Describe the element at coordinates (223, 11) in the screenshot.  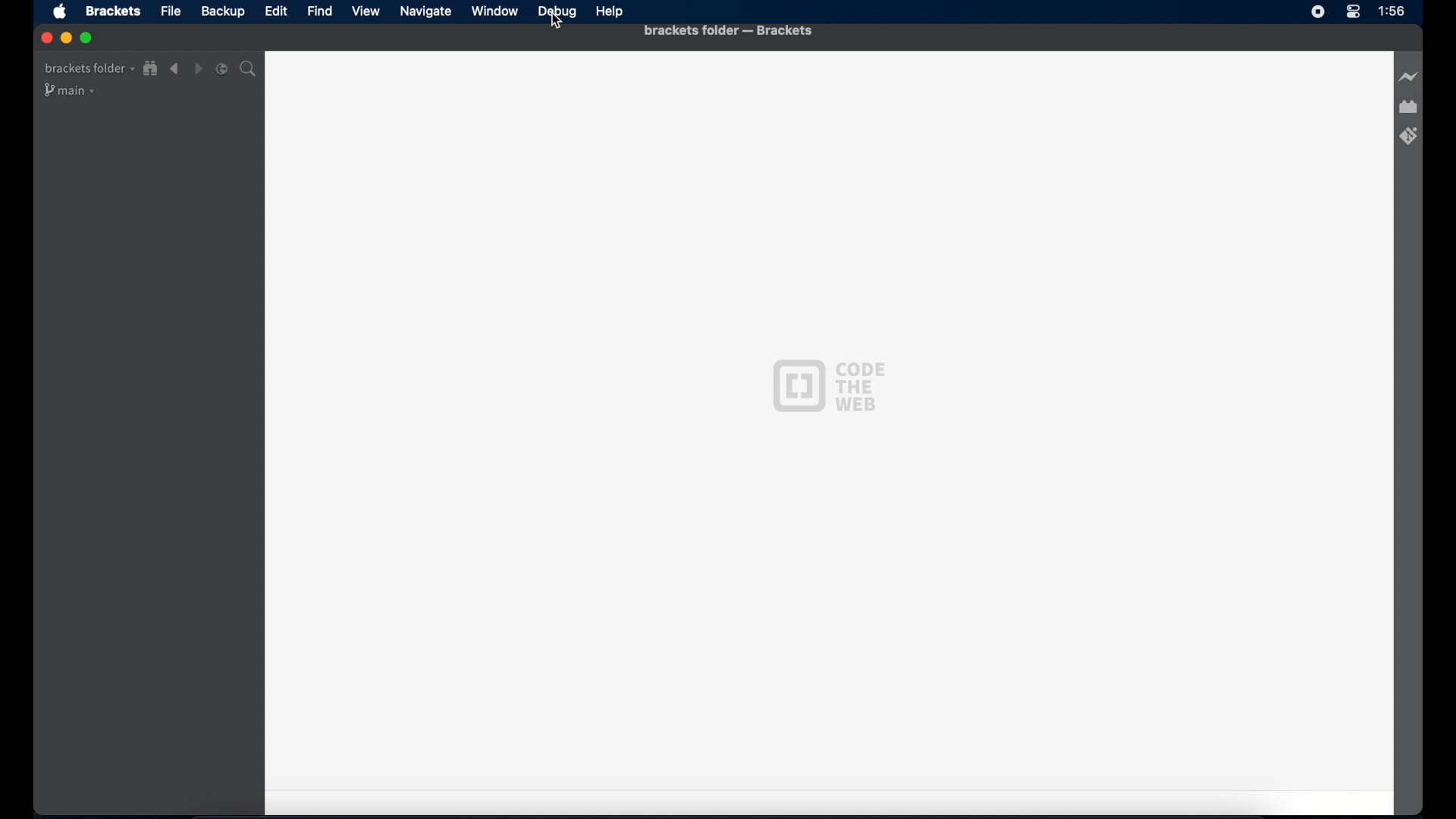
I see `backup` at that location.